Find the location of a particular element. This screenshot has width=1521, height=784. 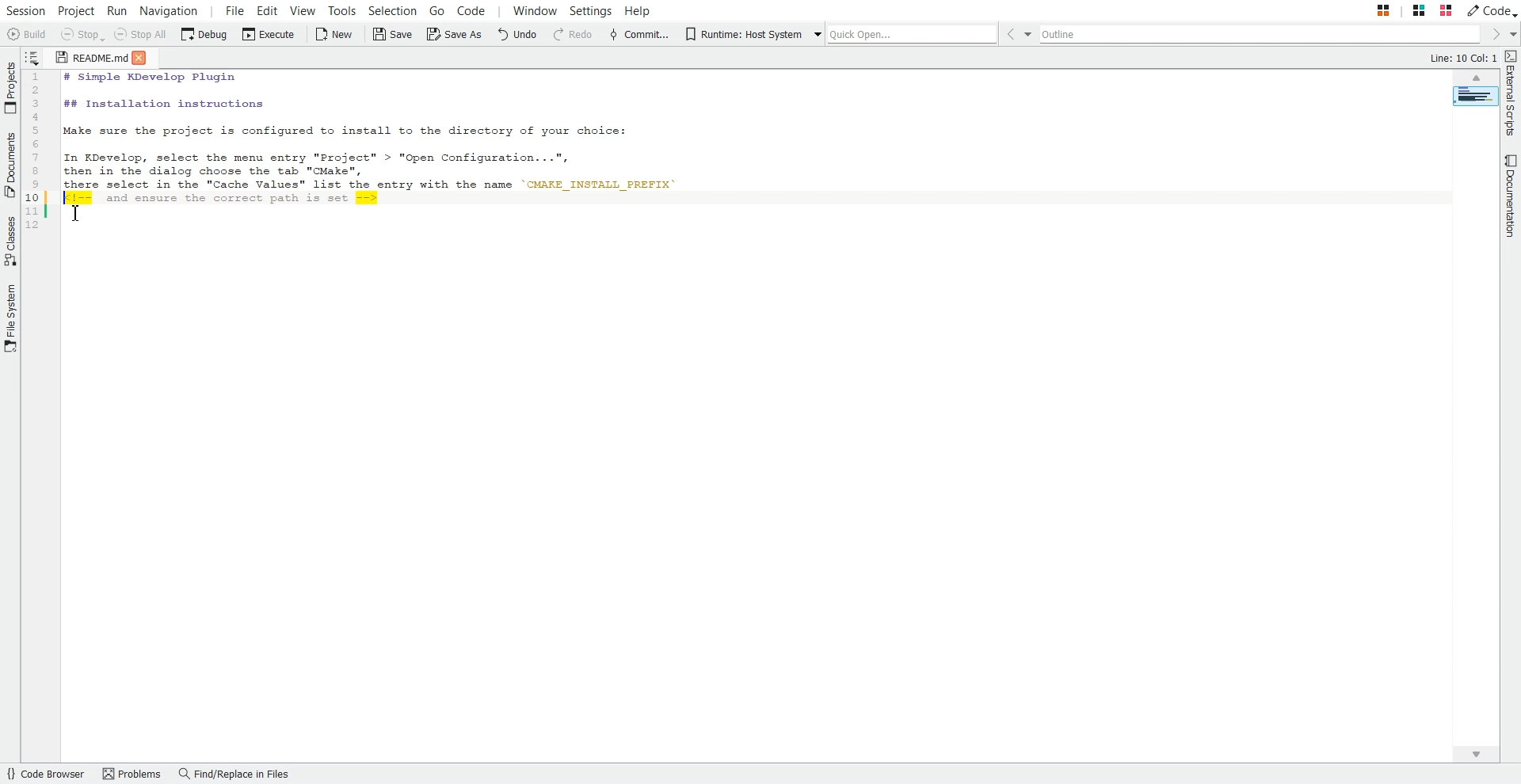

Navigation is located at coordinates (169, 10).